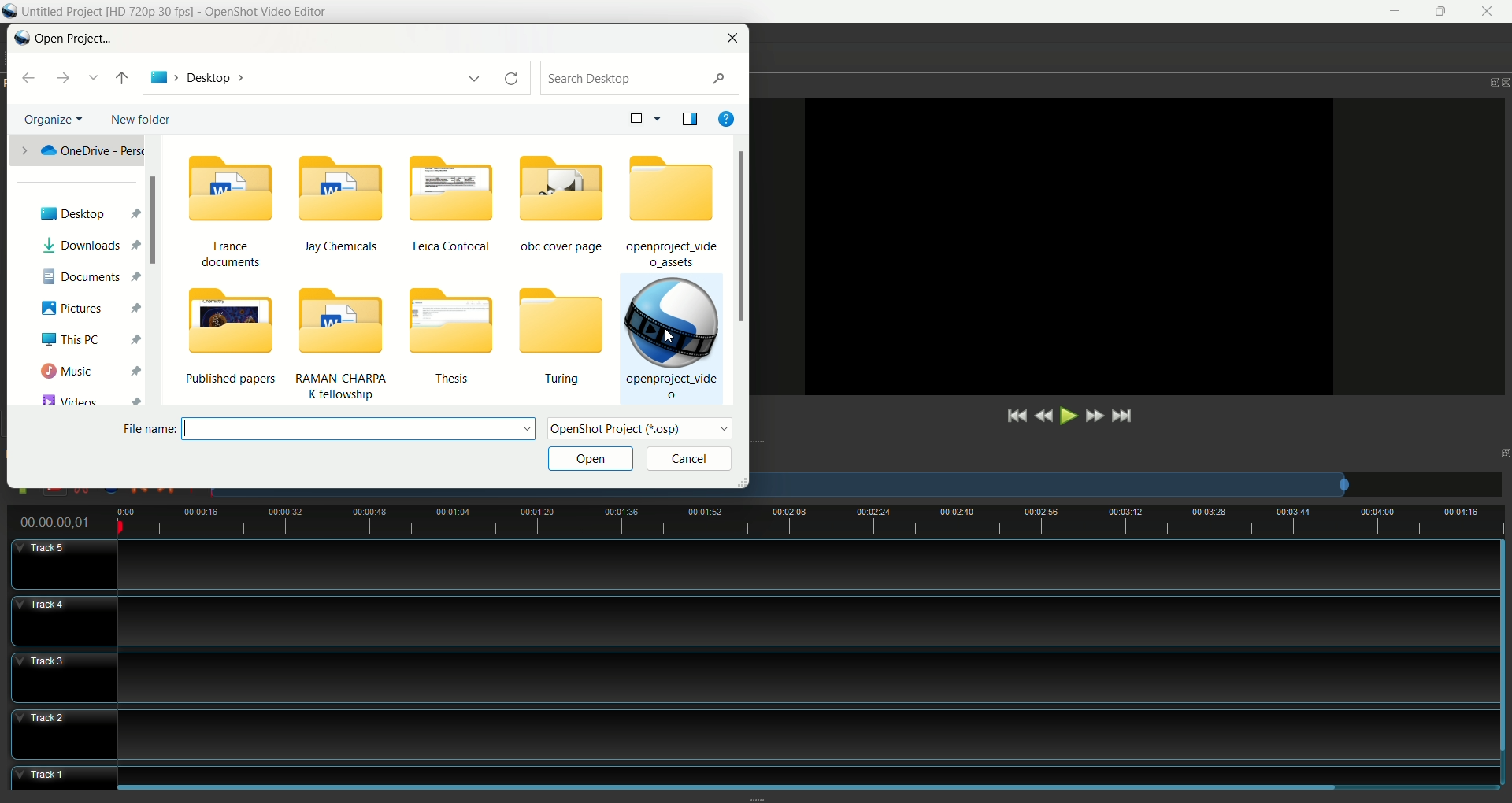 This screenshot has height=803, width=1512. Describe the element at coordinates (91, 276) in the screenshot. I see `documents` at that location.